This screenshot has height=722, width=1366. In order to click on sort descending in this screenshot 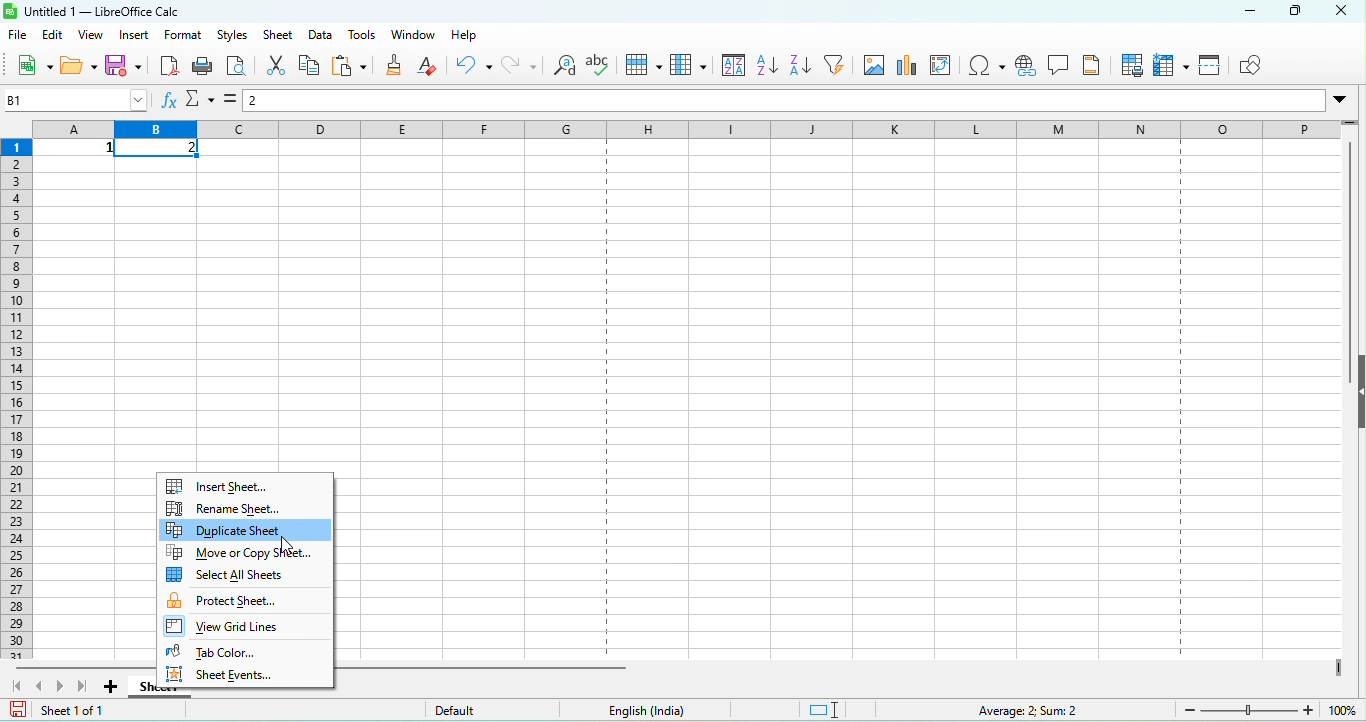, I will do `click(803, 66)`.